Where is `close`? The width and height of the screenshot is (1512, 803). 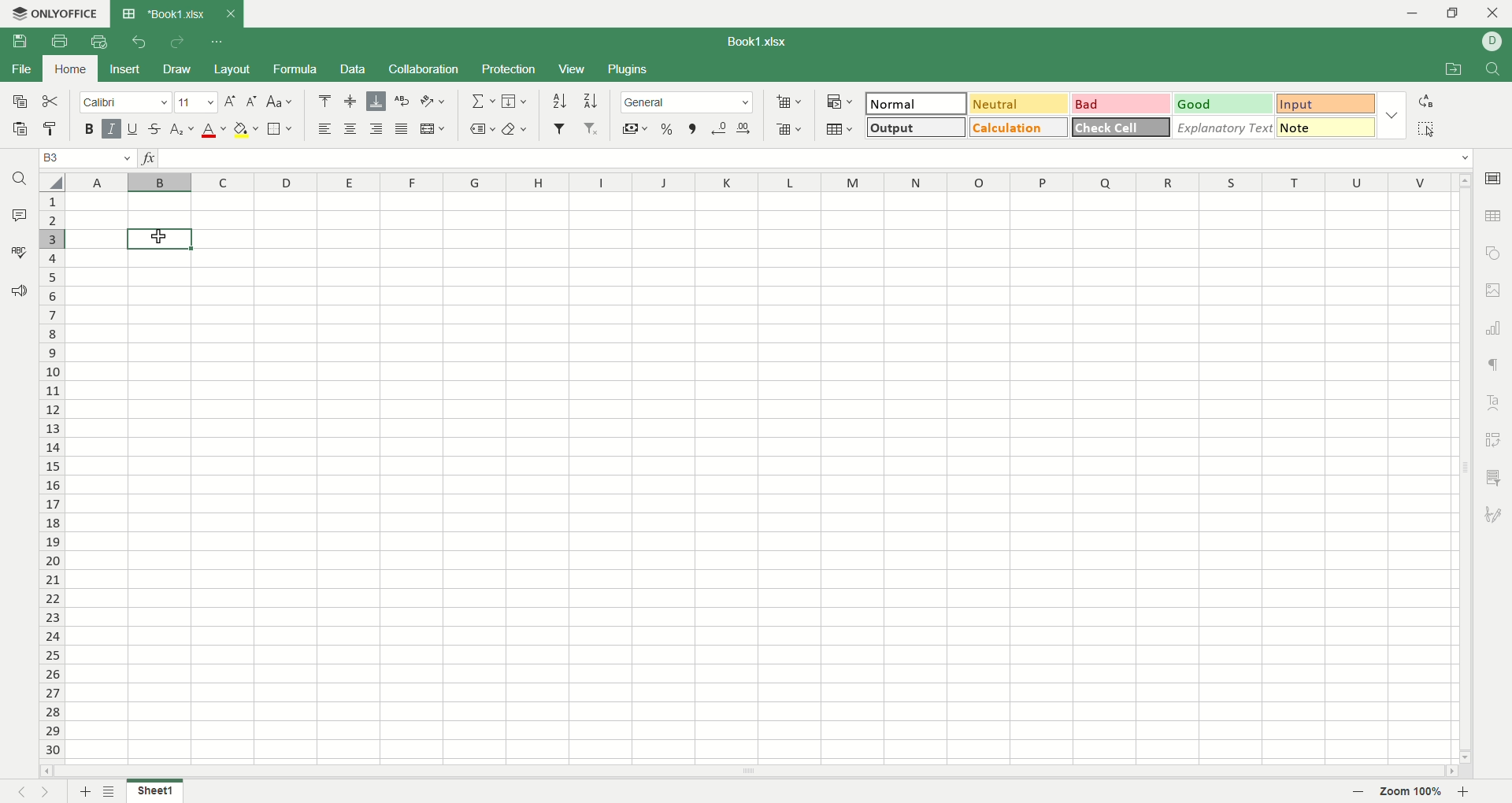
close is located at coordinates (1493, 15).